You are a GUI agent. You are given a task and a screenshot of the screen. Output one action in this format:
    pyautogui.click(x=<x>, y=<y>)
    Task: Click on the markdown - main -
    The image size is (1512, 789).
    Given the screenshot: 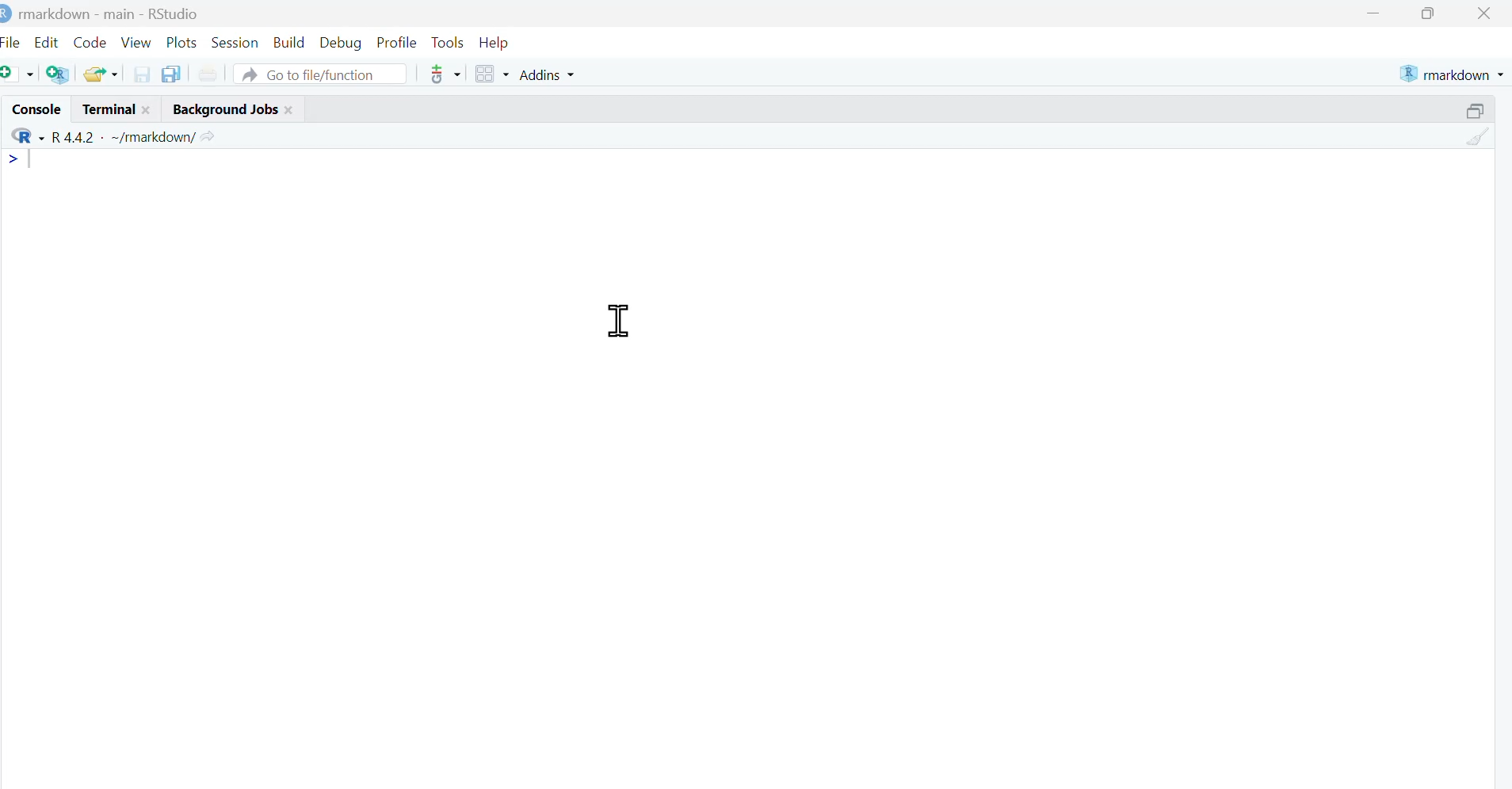 What is the action you would take?
    pyautogui.click(x=78, y=12)
    